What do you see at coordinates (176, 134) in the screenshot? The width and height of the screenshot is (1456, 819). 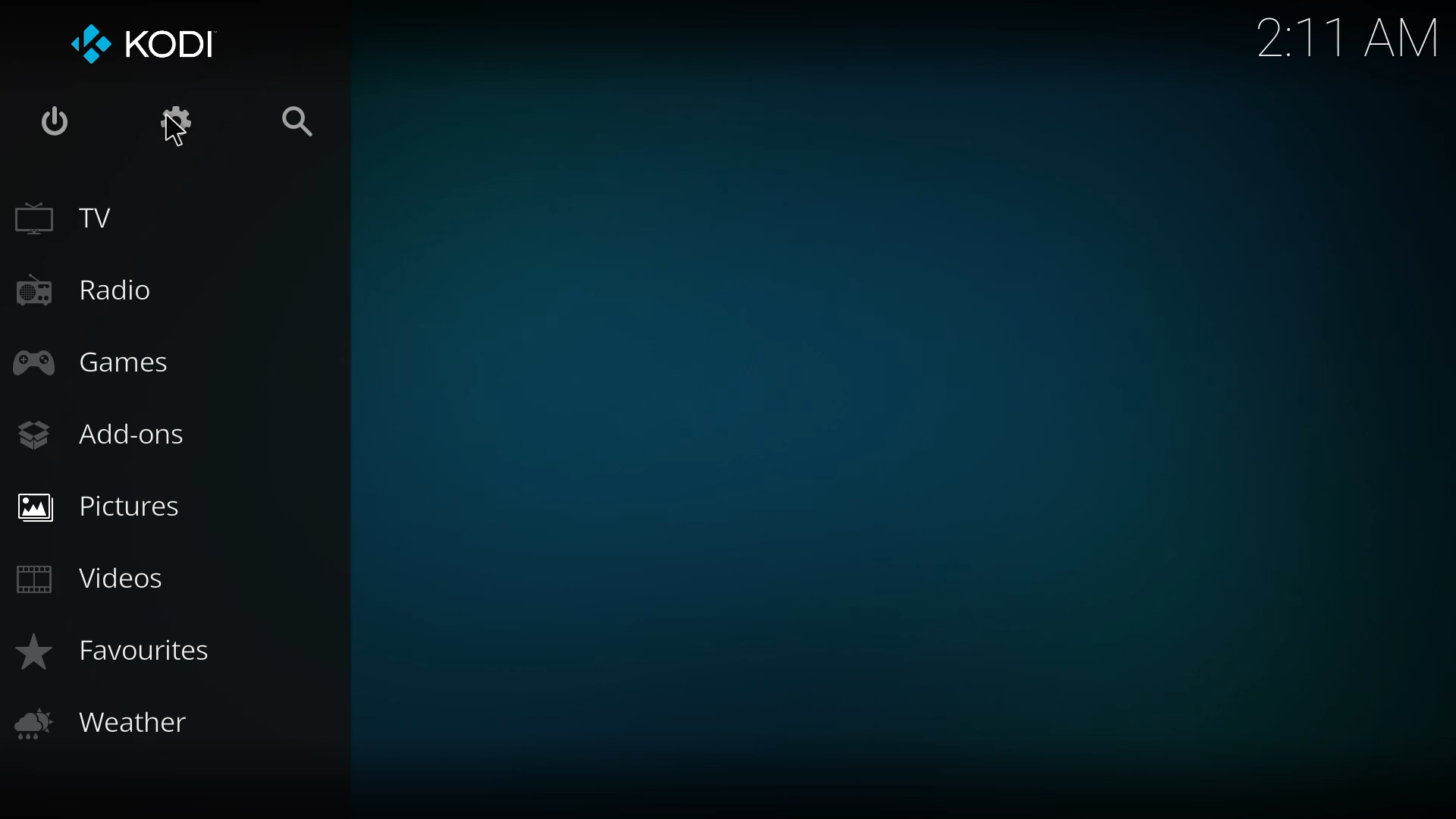 I see `cursor` at bounding box center [176, 134].